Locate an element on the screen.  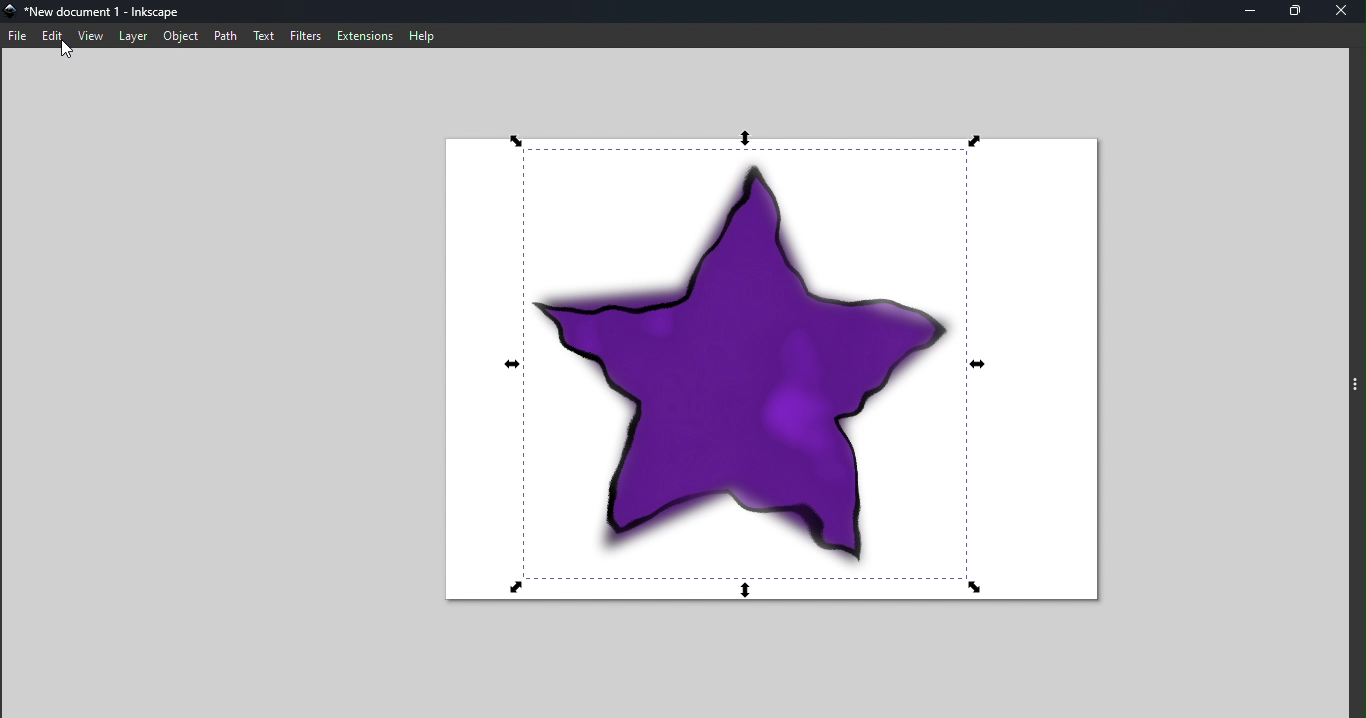
Minimize is located at coordinates (1248, 11).